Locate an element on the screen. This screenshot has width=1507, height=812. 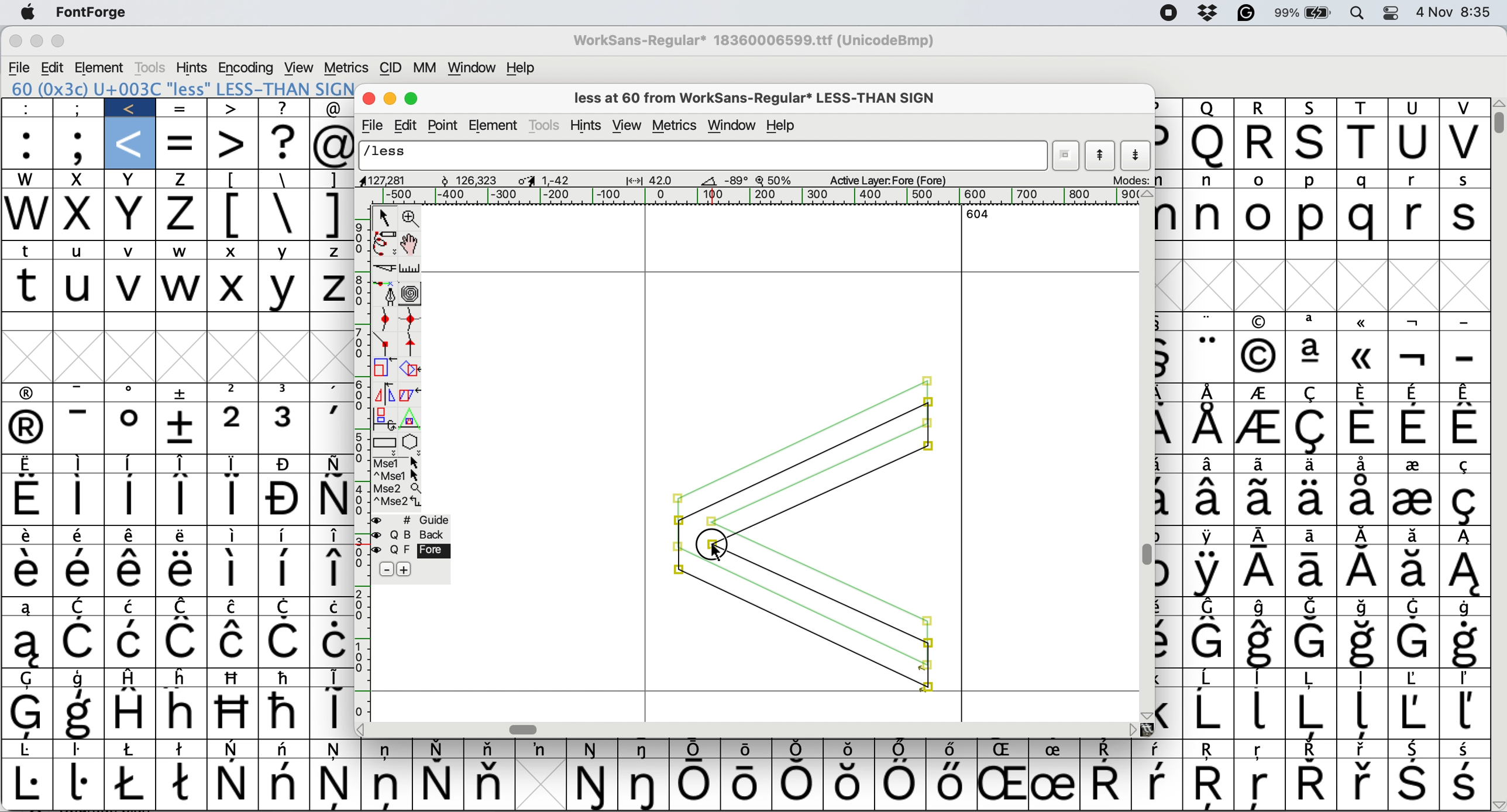
Symbol is located at coordinates (1309, 500).